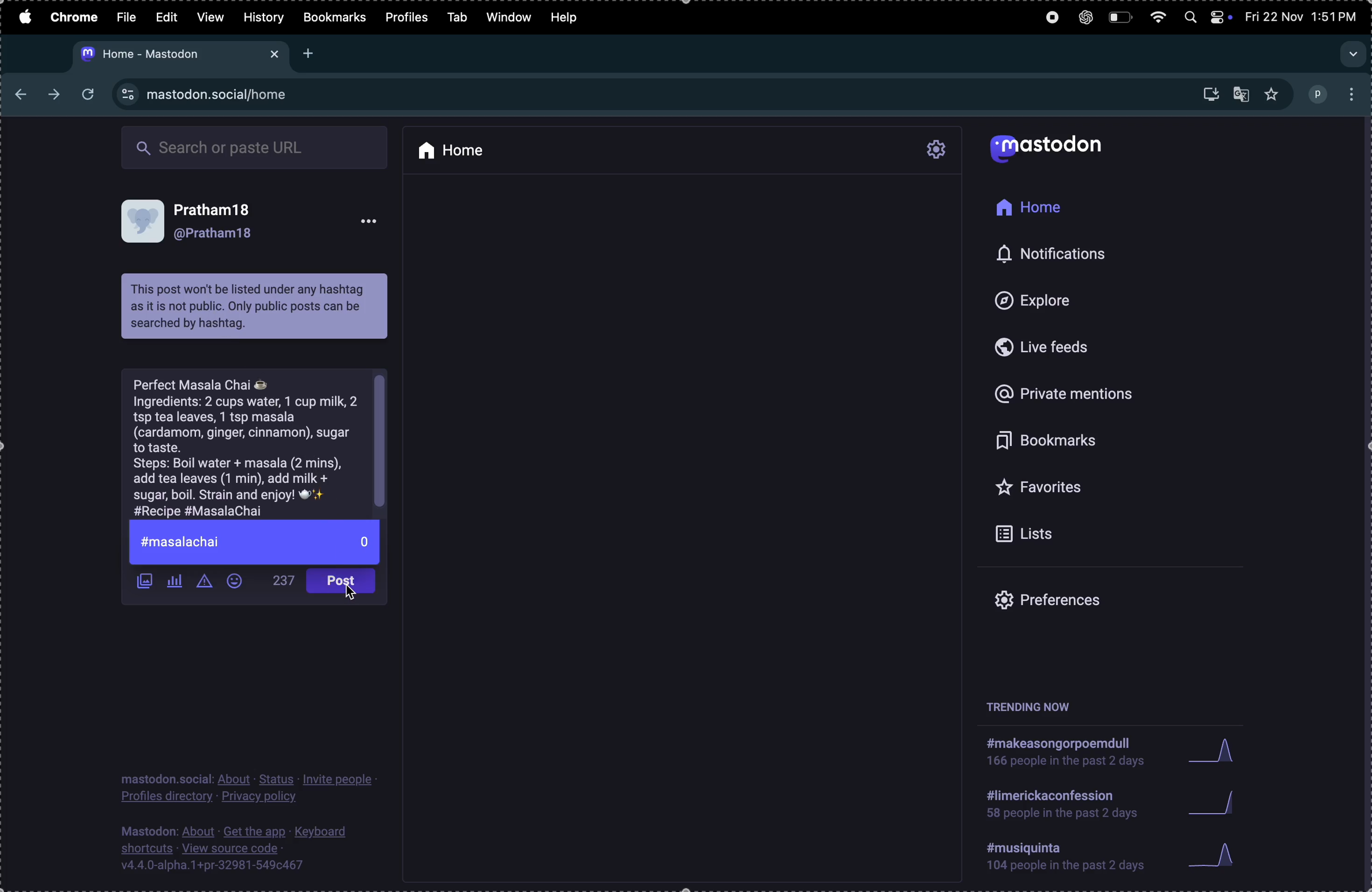 The width and height of the screenshot is (1372, 892). Describe the element at coordinates (92, 97) in the screenshot. I see `refresh` at that location.